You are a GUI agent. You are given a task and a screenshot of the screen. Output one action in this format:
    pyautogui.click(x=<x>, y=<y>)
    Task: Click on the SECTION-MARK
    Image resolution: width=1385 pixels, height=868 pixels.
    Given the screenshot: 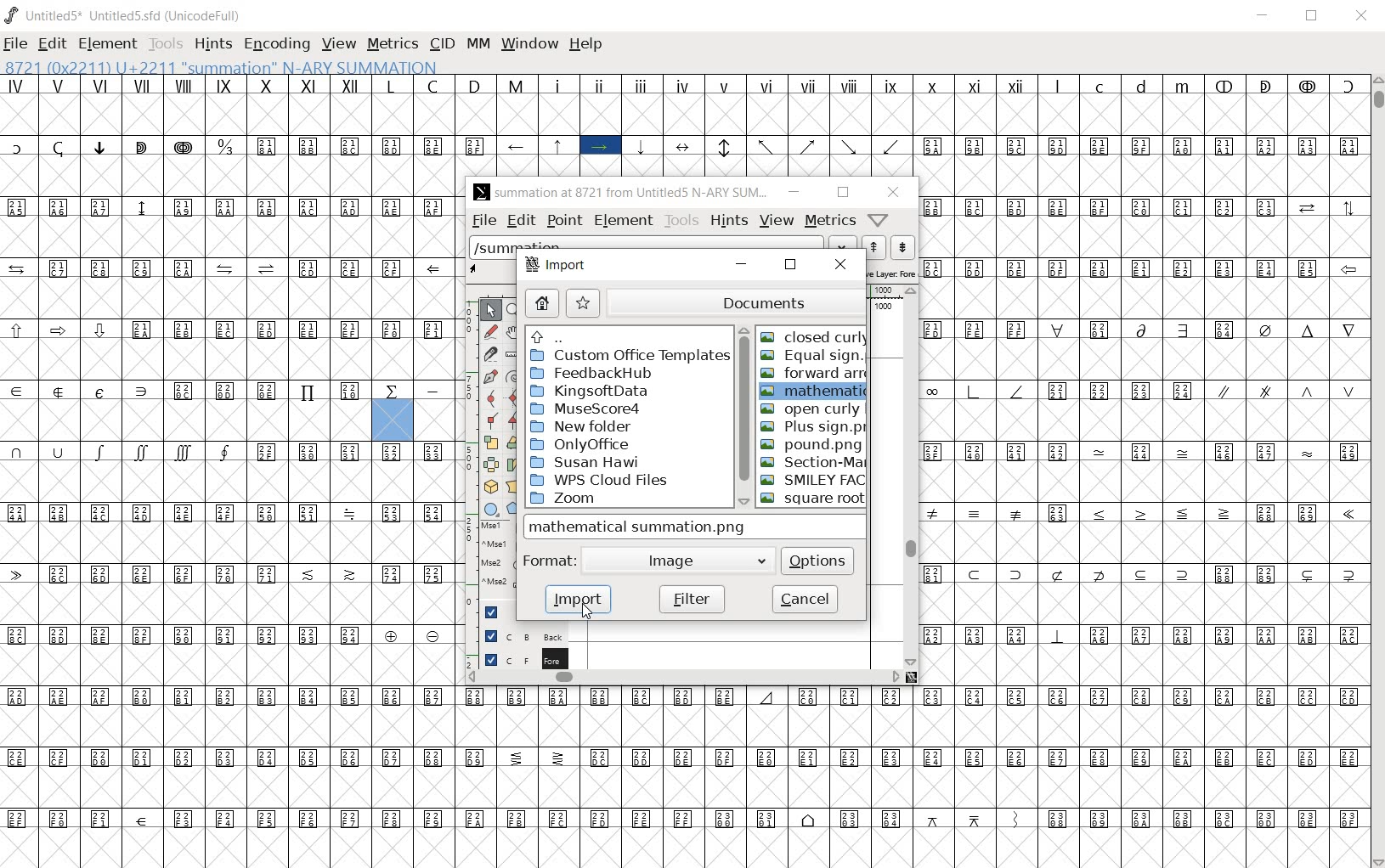 What is the action you would take?
    pyautogui.click(x=812, y=461)
    